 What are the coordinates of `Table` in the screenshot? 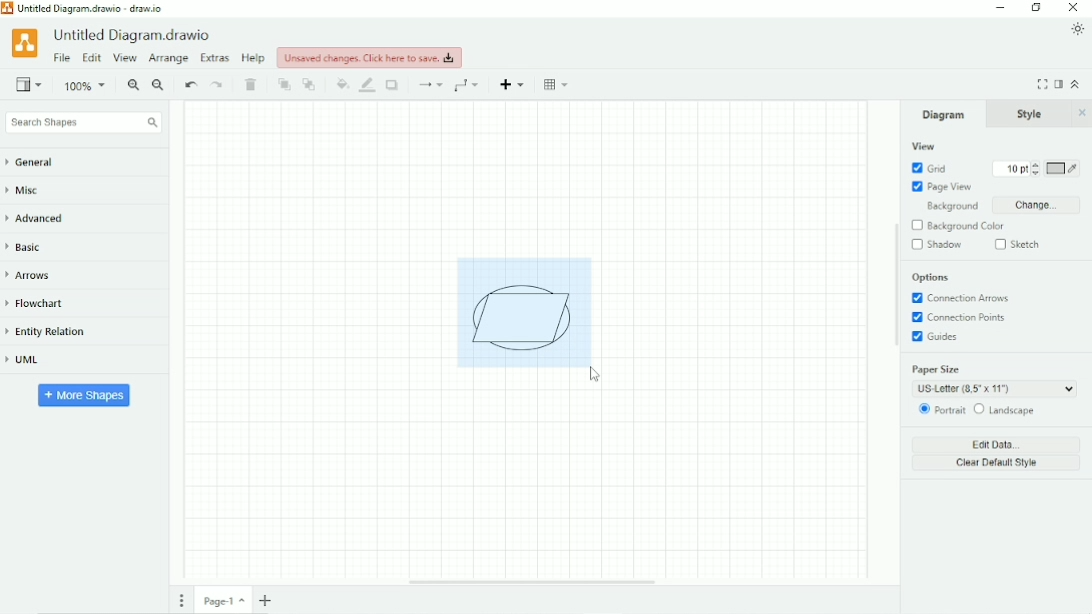 It's located at (558, 84).